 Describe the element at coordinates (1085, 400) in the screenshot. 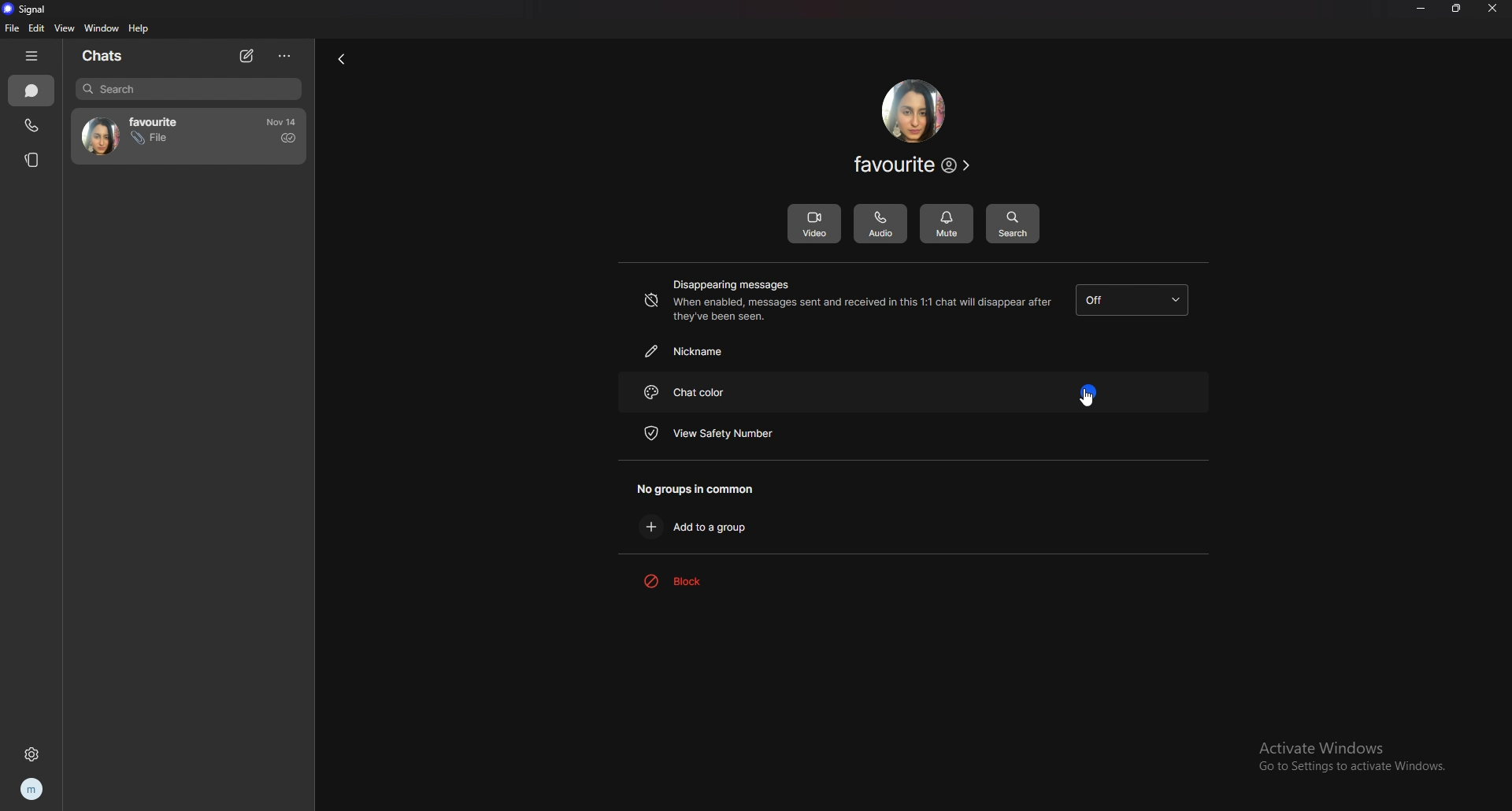

I see `cursor` at that location.